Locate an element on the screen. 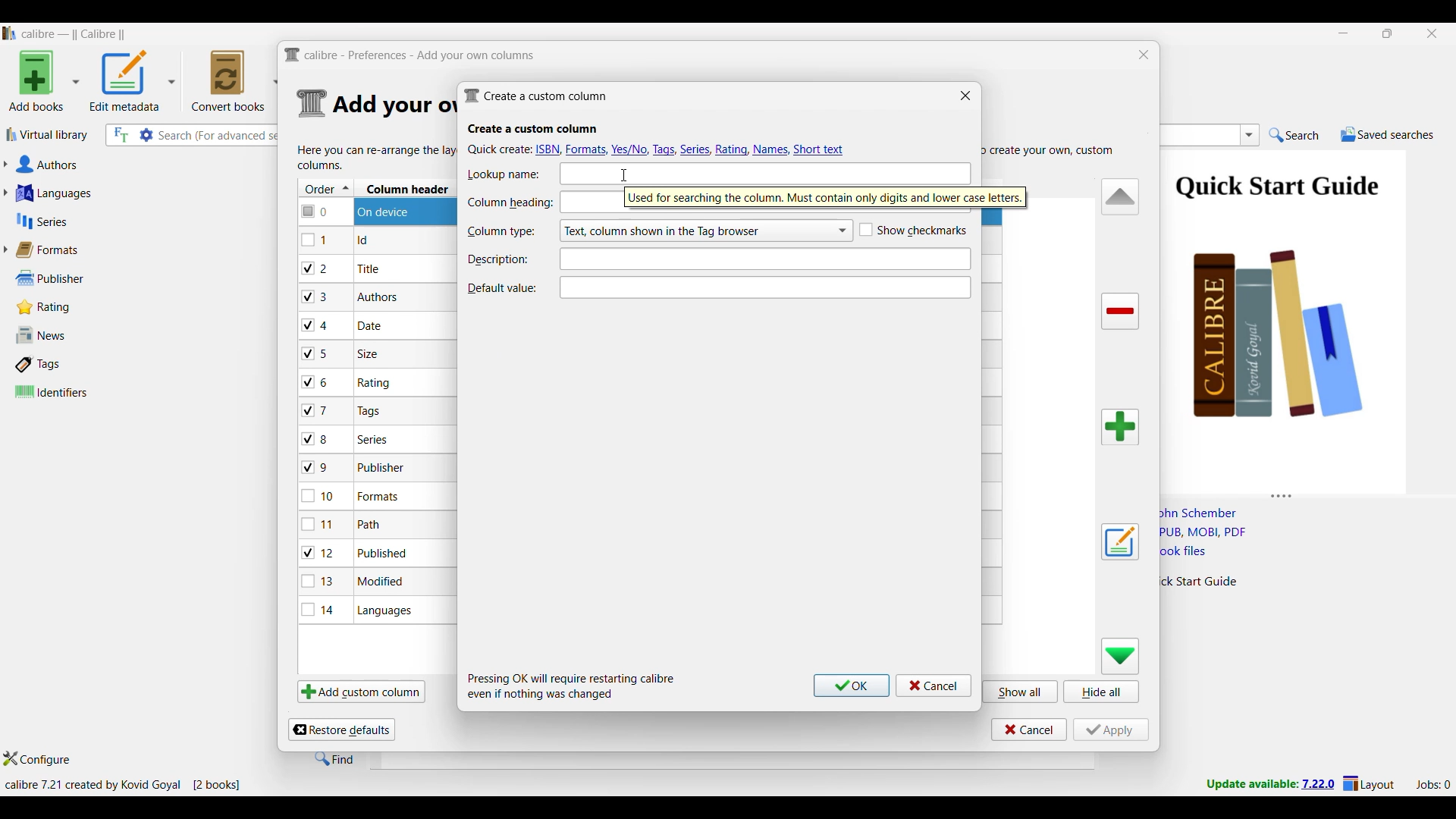 The width and height of the screenshot is (1456, 819). Section details is located at coordinates (392, 105).